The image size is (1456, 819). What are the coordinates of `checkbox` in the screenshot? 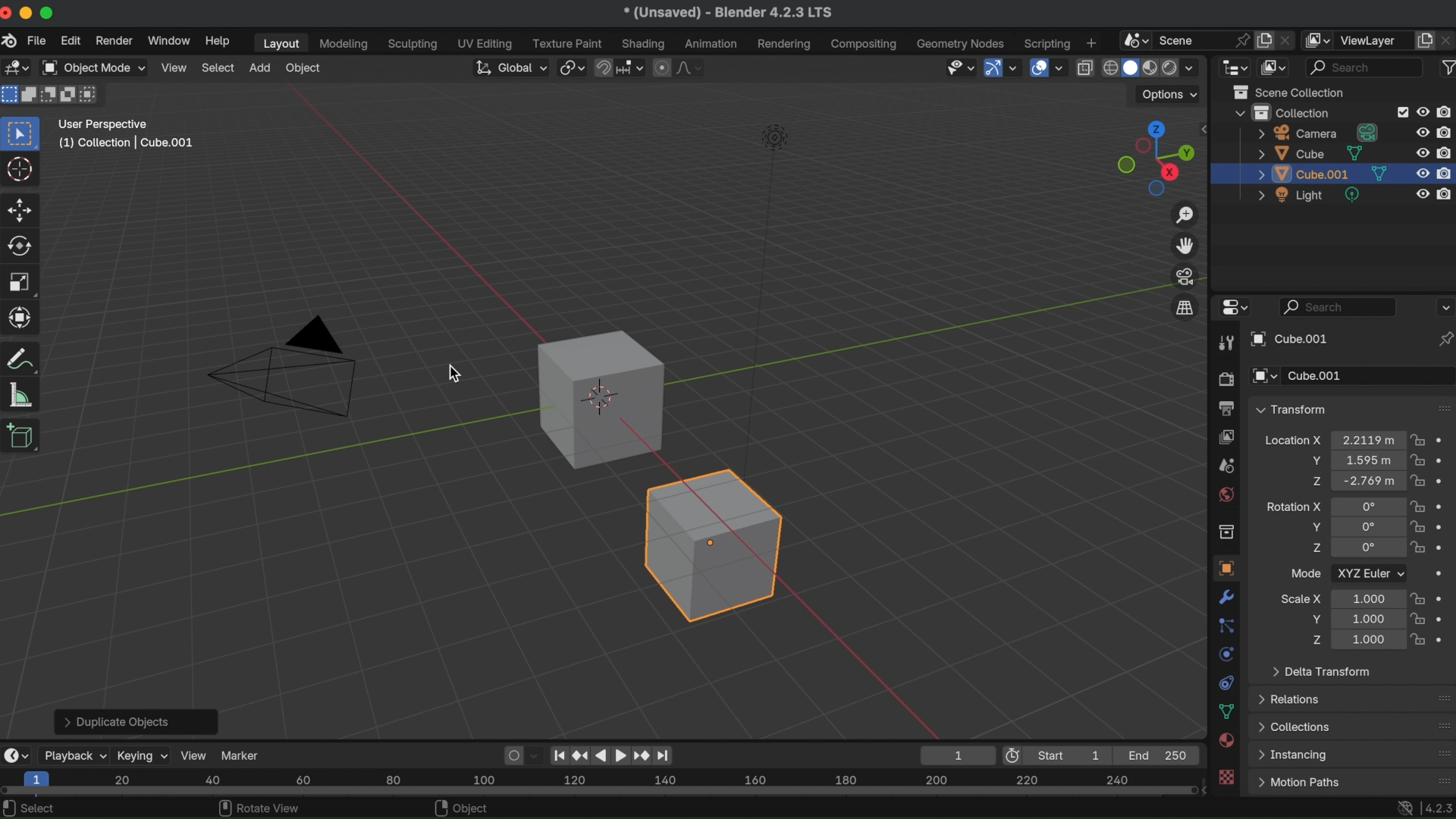 It's located at (1400, 112).